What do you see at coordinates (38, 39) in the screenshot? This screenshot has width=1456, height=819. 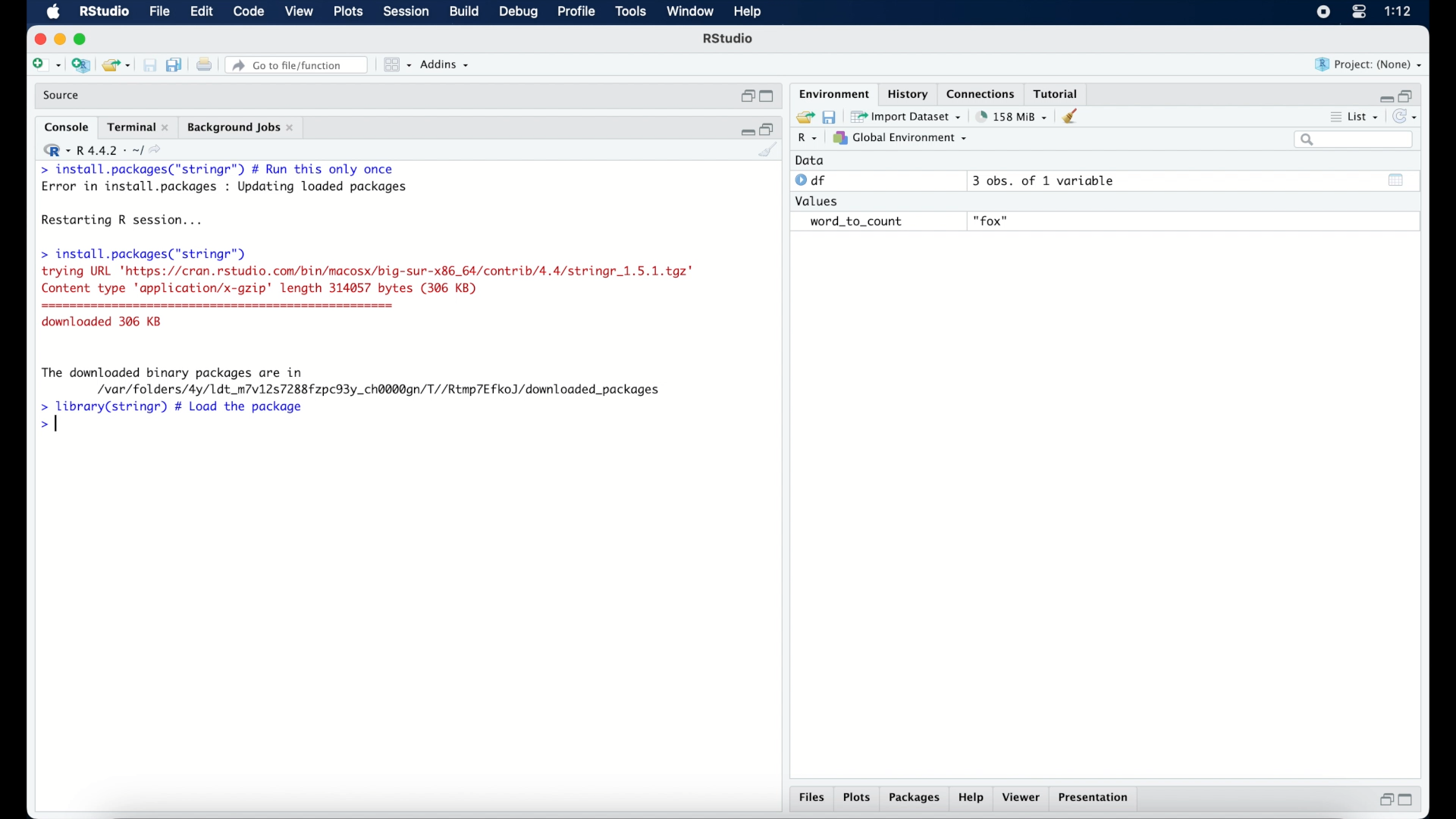 I see `close` at bounding box center [38, 39].